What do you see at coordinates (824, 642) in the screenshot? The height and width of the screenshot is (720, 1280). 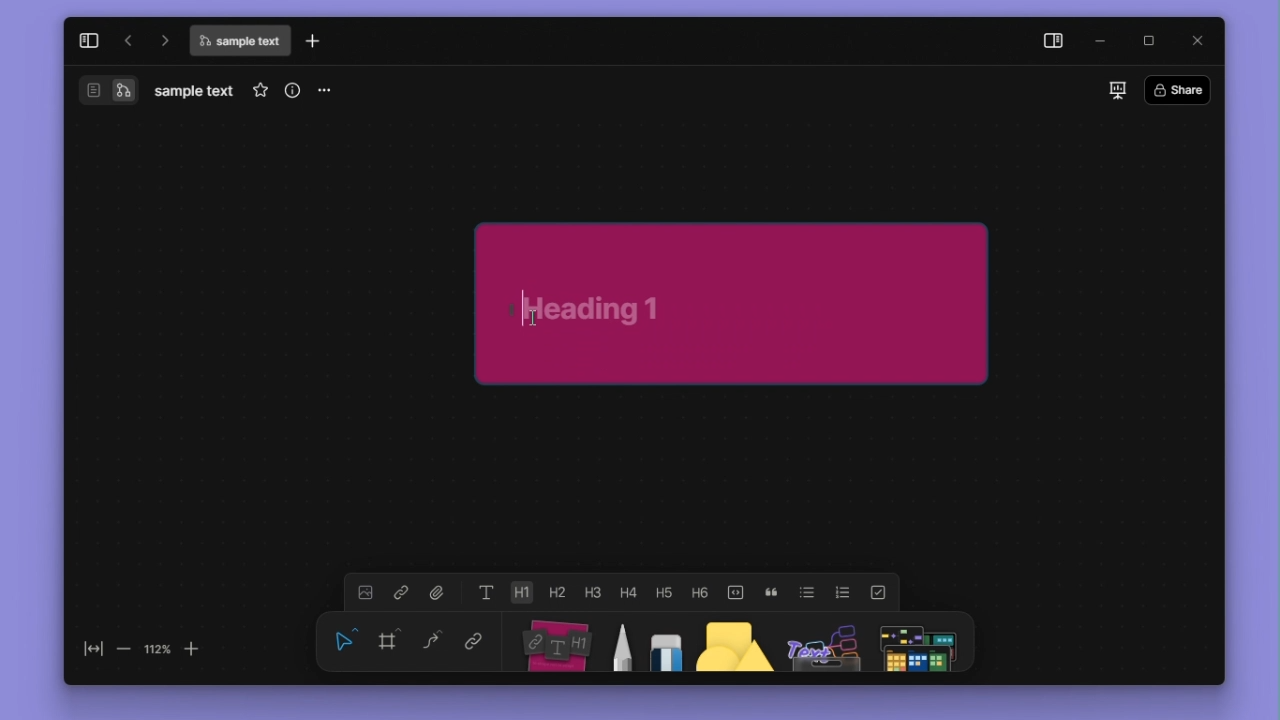 I see `other` at bounding box center [824, 642].